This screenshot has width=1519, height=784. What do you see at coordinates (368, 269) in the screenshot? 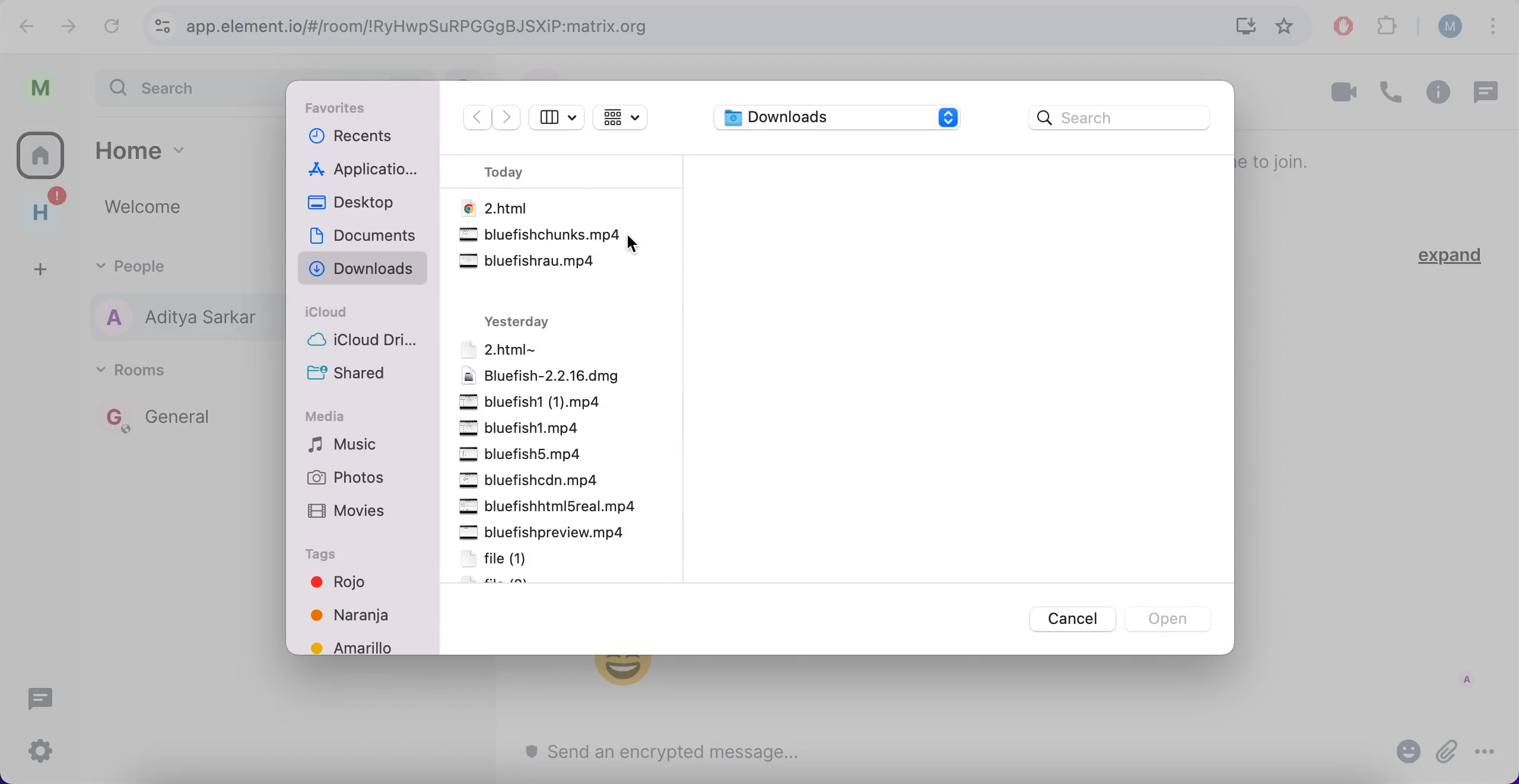
I see `downloads` at bounding box center [368, 269].